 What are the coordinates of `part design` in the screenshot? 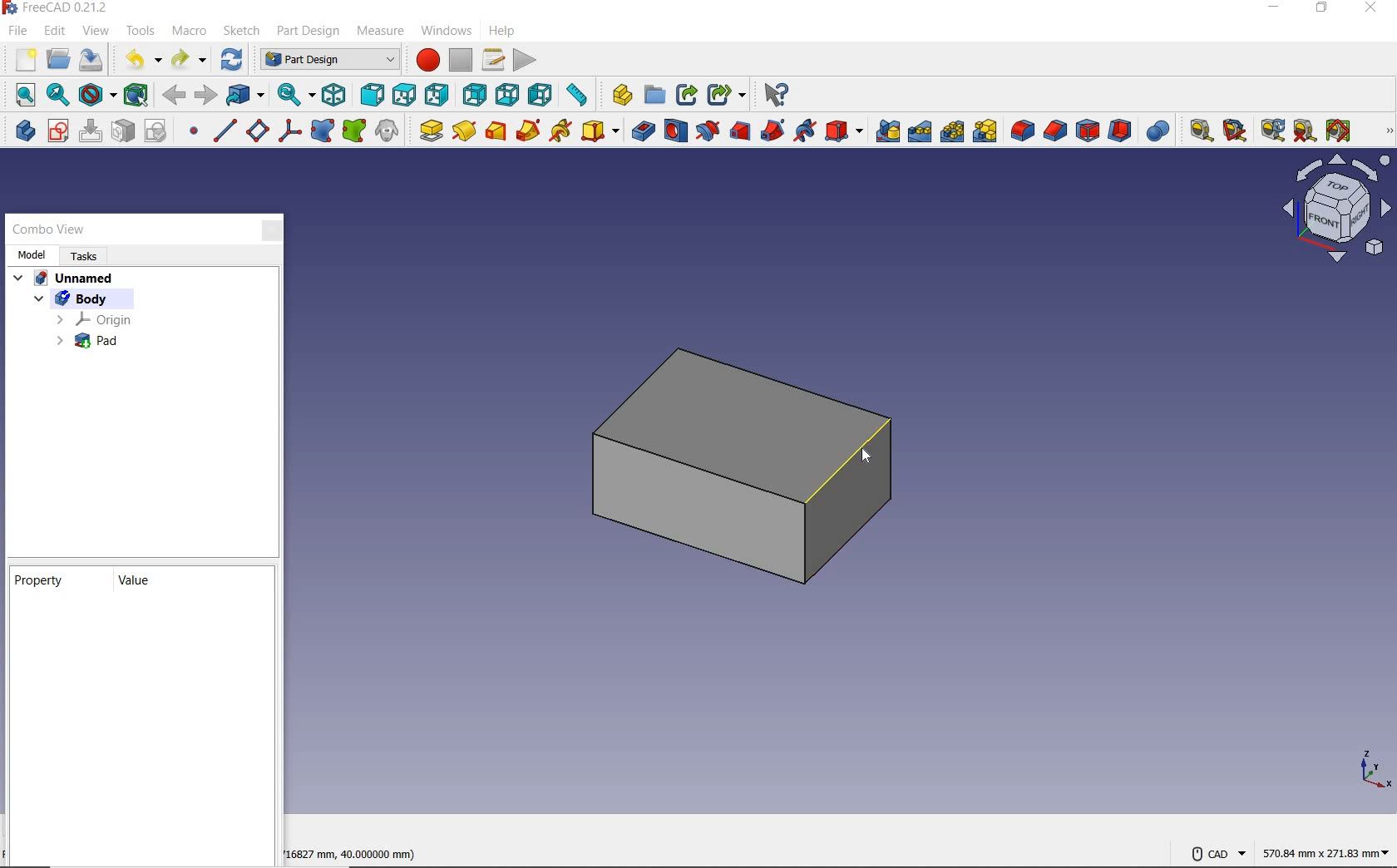 It's located at (309, 32).